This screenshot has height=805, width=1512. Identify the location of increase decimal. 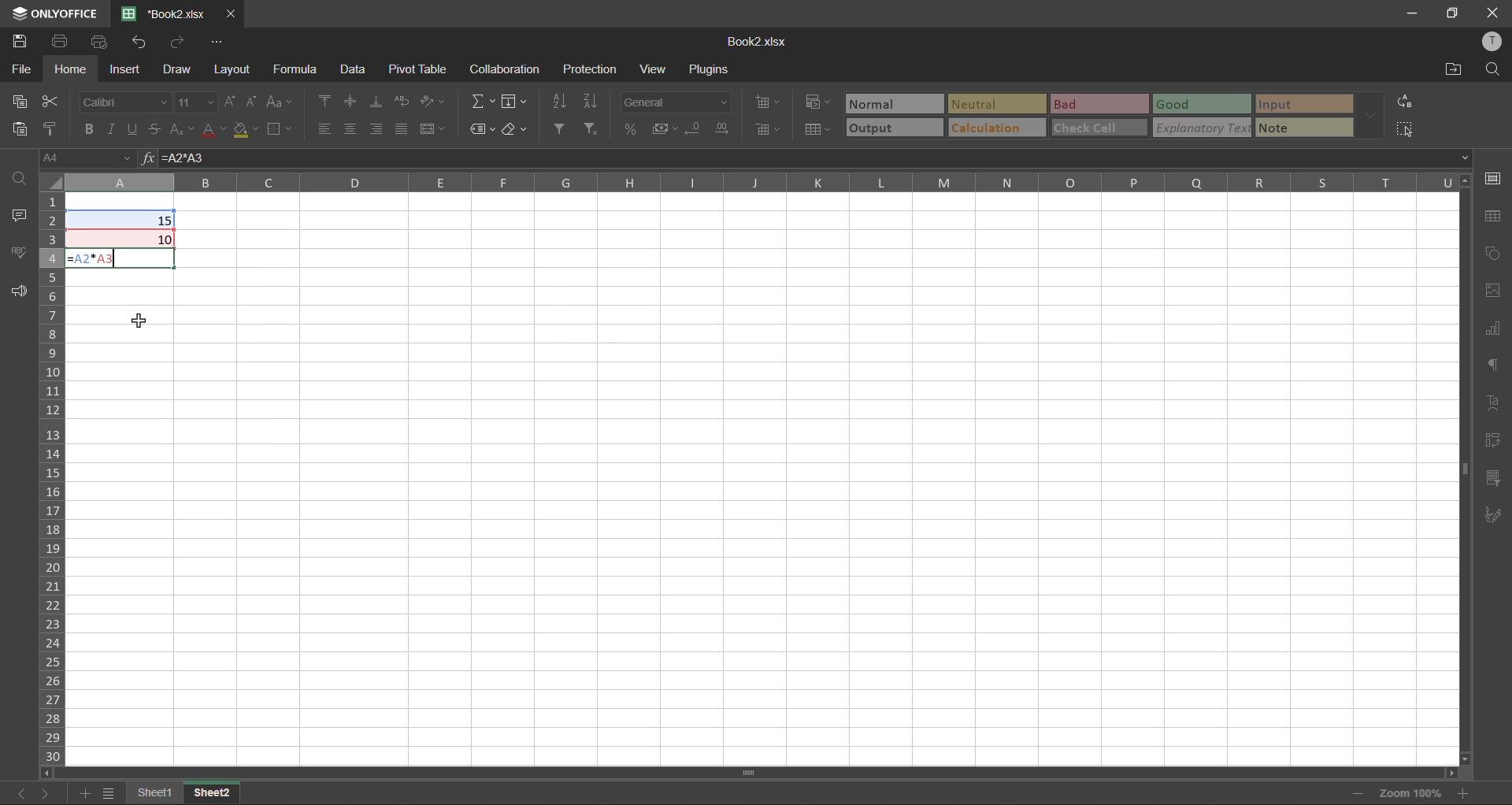
(724, 129).